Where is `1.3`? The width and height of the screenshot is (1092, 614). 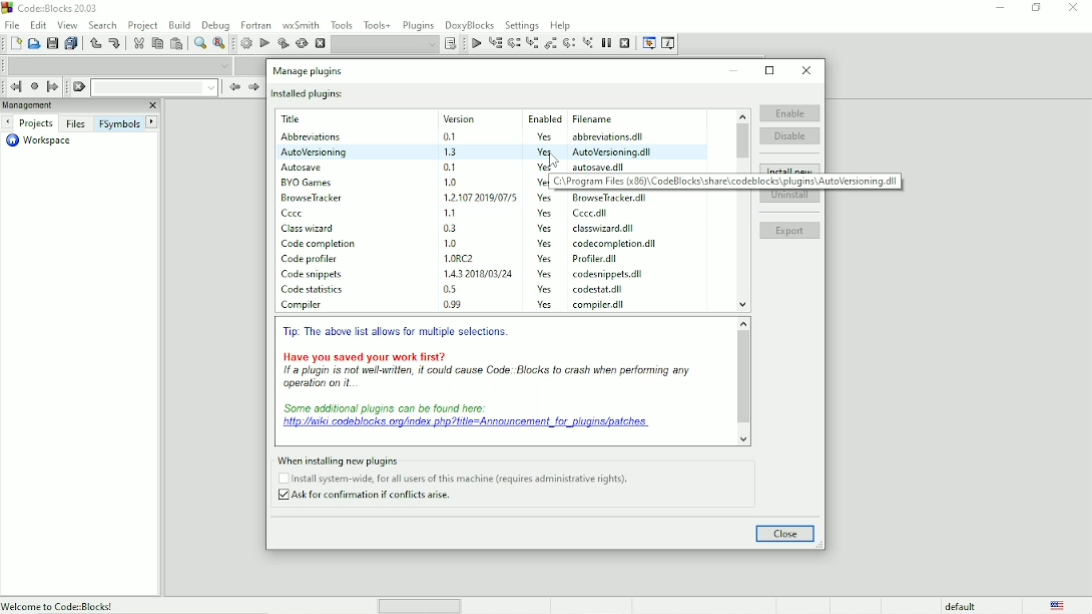 1.3 is located at coordinates (451, 151).